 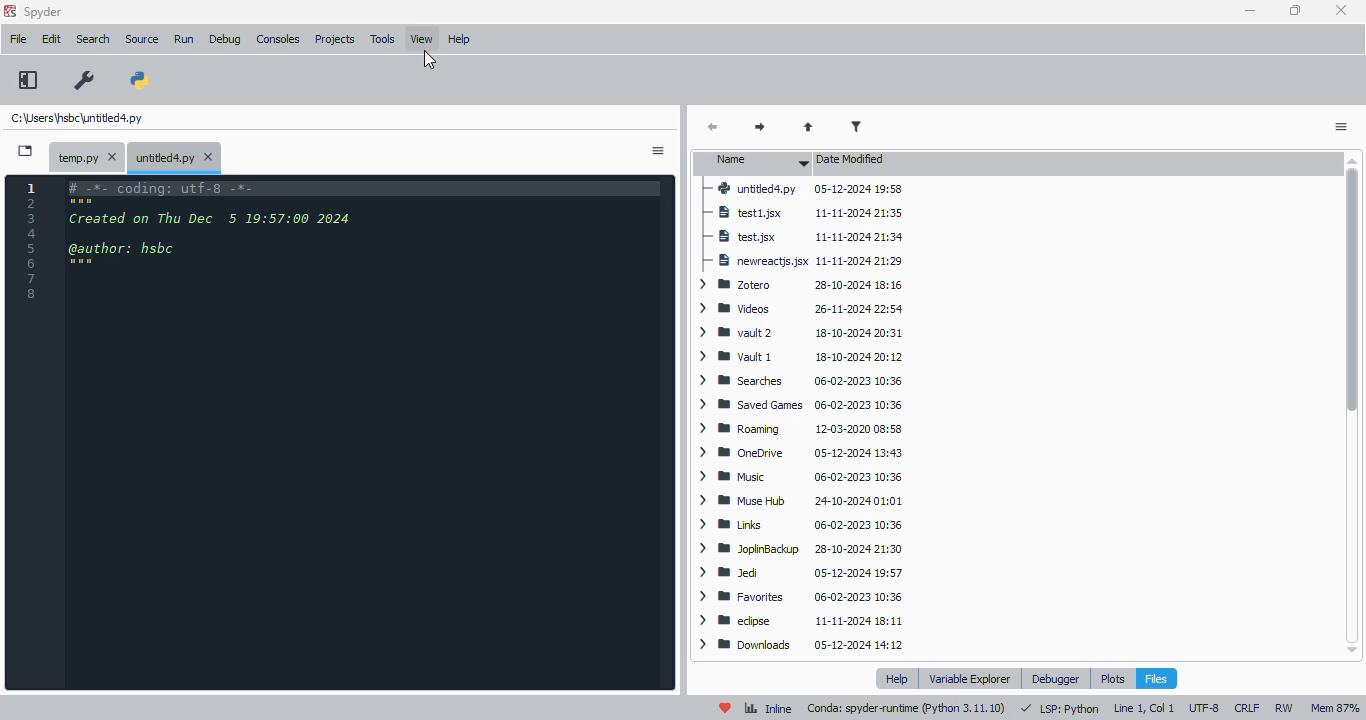 I want to click on files, so click(x=1156, y=678).